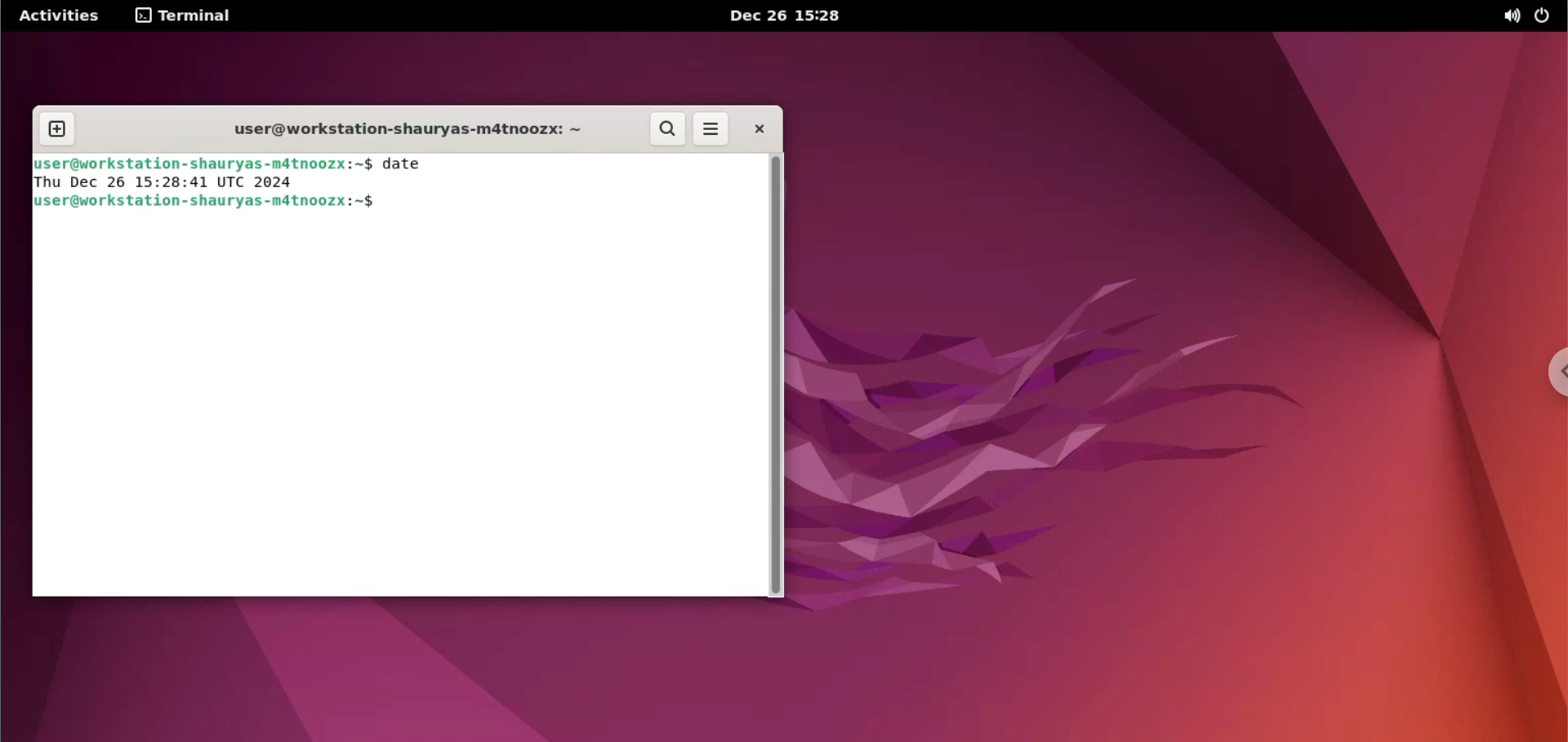  I want to click on sound options, so click(1510, 16).